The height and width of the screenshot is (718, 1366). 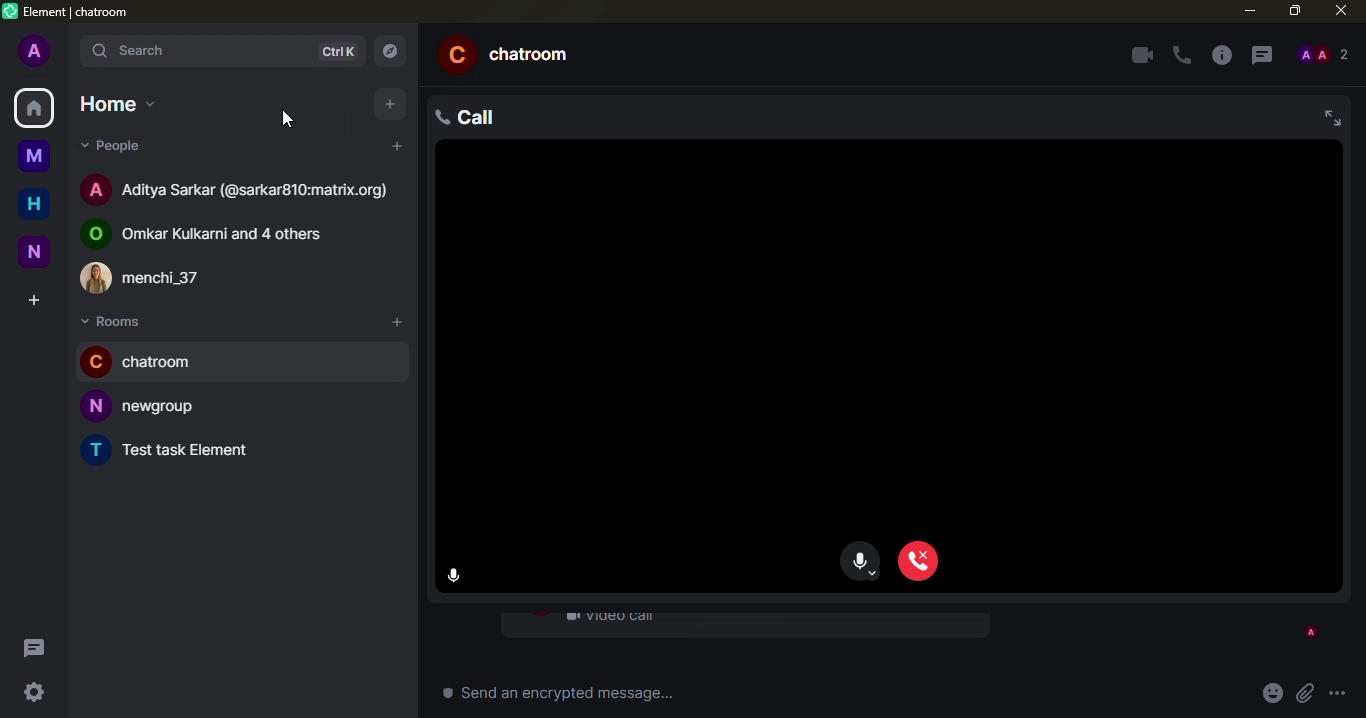 I want to click on explore rooms, so click(x=388, y=50).